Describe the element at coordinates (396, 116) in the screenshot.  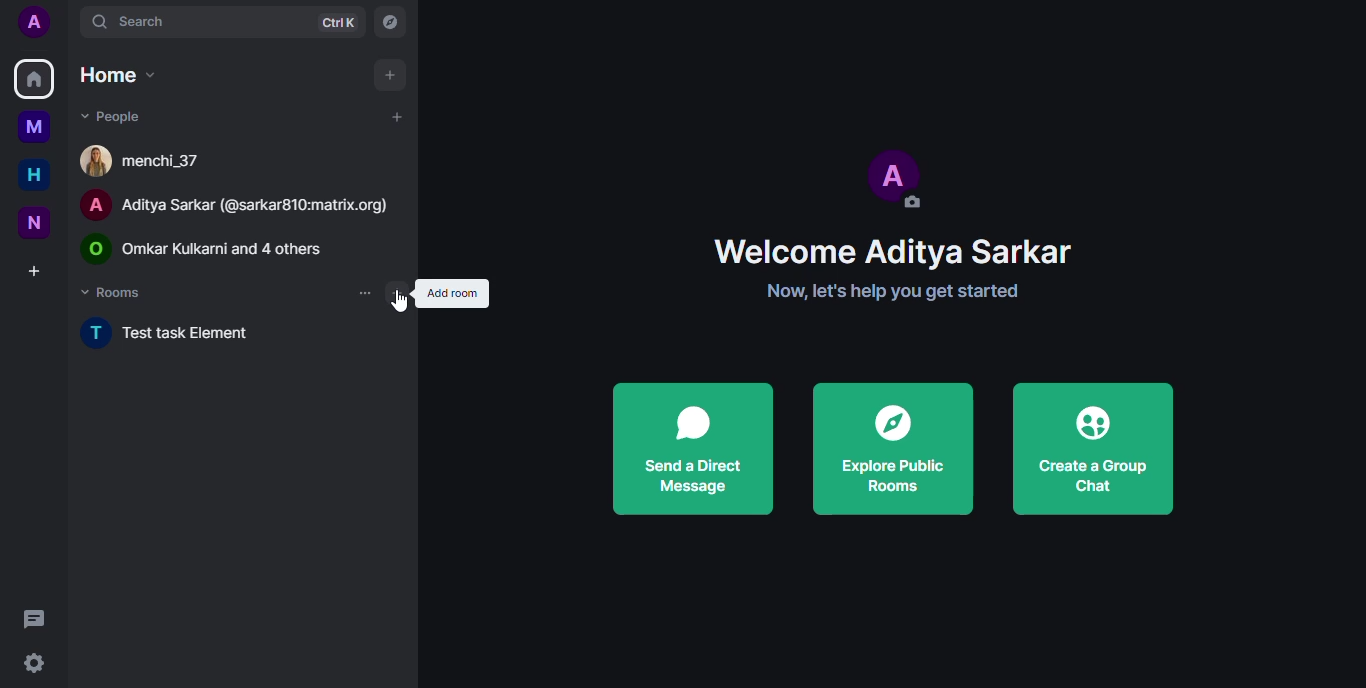
I see `add` at that location.